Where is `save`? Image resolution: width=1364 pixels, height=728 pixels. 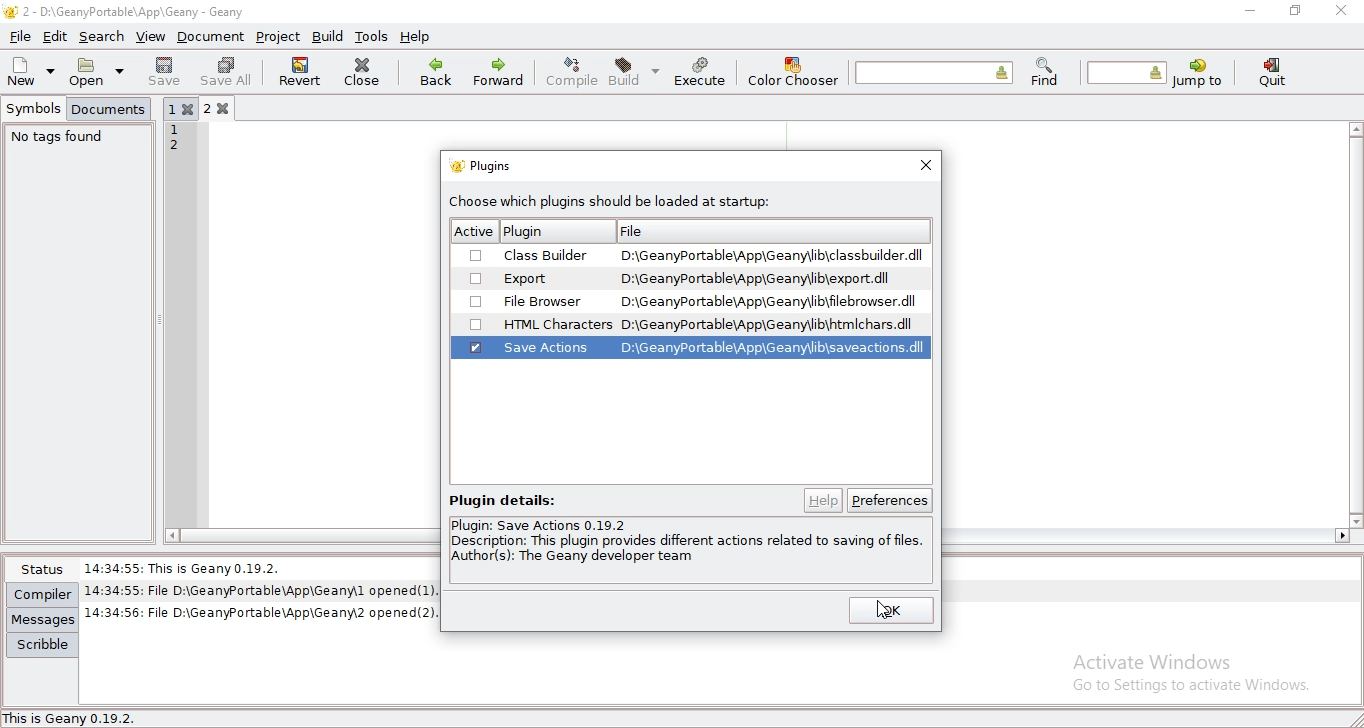
save is located at coordinates (166, 71).